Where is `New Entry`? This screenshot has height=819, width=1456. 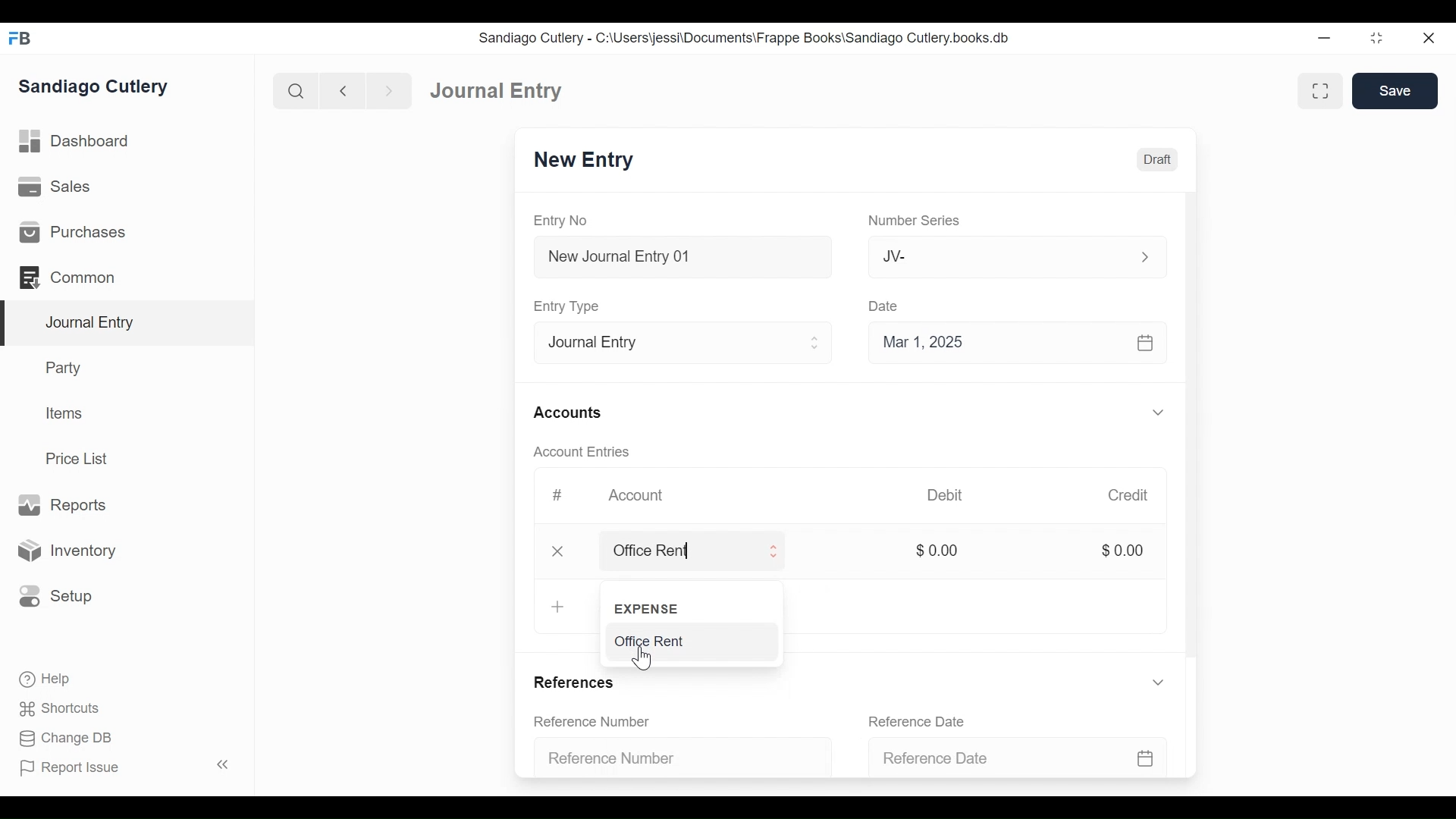
New Entry is located at coordinates (585, 161).